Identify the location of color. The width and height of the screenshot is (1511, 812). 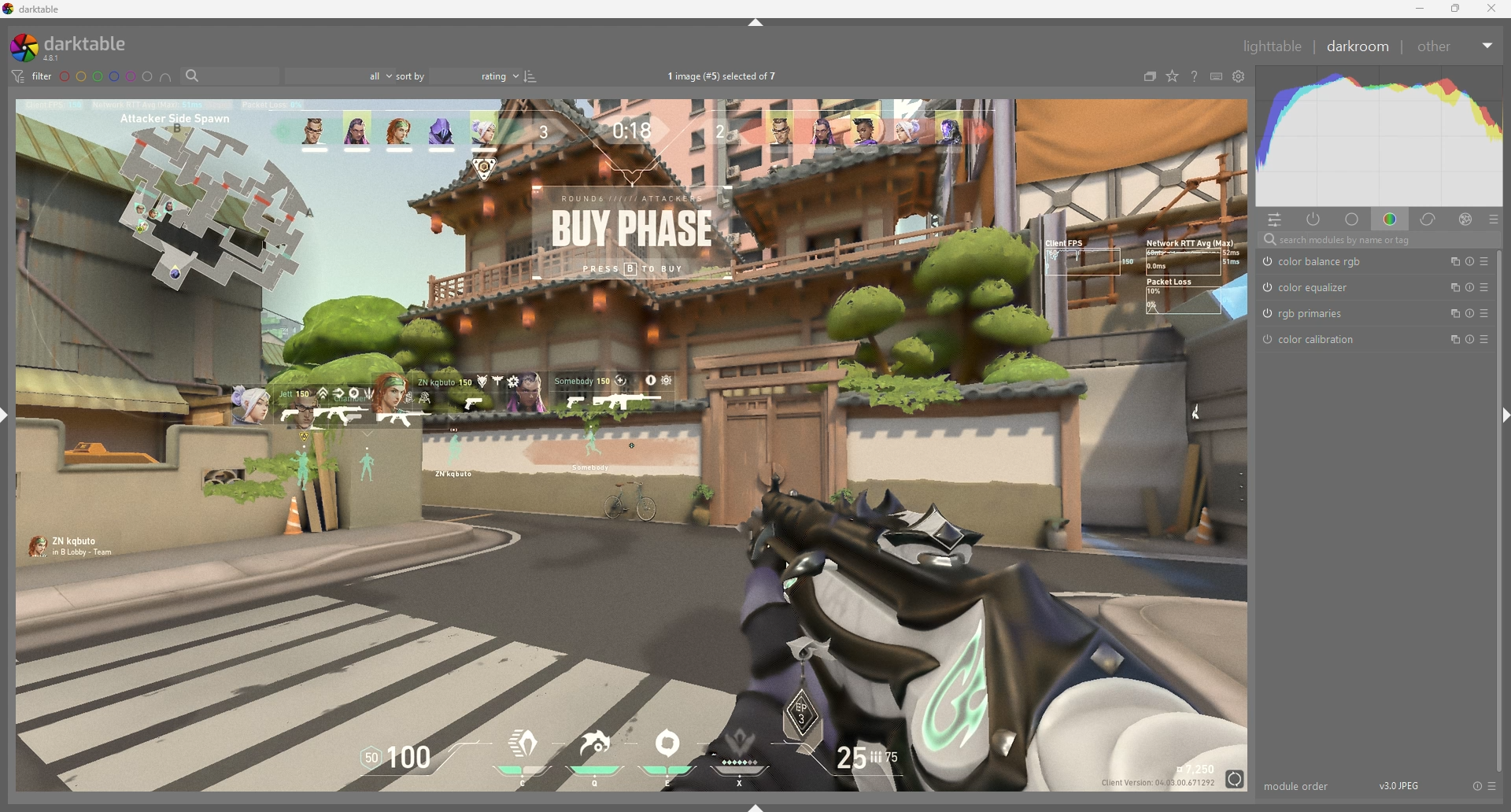
(1392, 220).